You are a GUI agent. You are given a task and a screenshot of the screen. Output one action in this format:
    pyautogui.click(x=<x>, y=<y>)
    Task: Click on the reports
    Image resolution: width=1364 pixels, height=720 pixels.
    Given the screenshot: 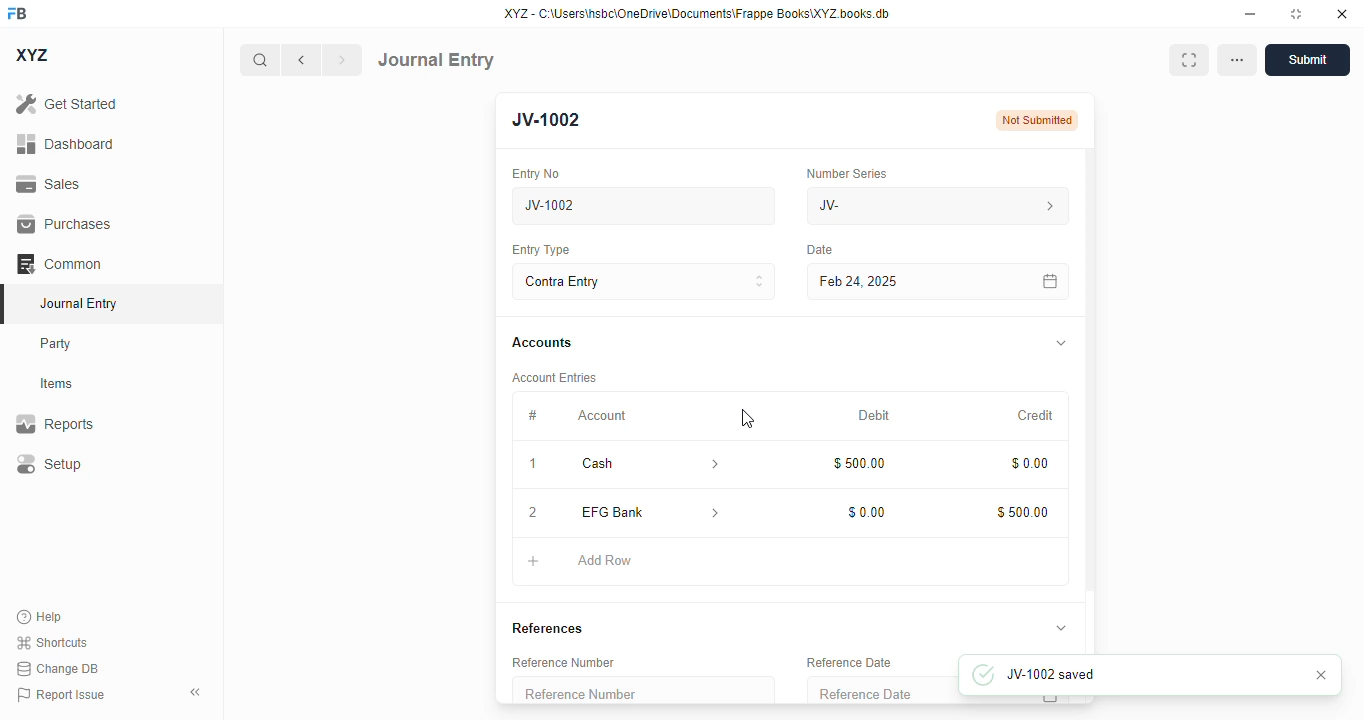 What is the action you would take?
    pyautogui.click(x=55, y=423)
    